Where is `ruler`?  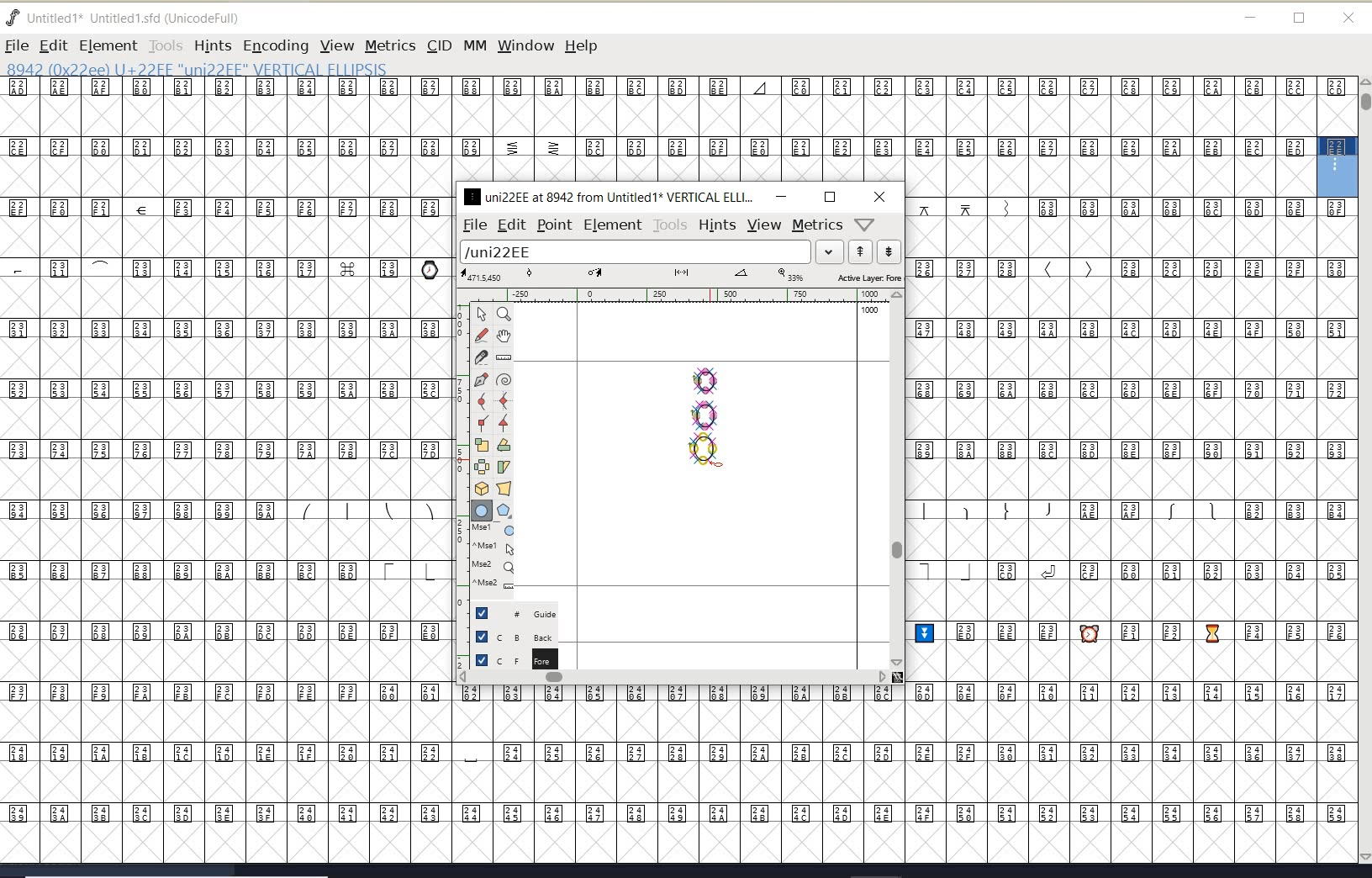 ruler is located at coordinates (674, 297).